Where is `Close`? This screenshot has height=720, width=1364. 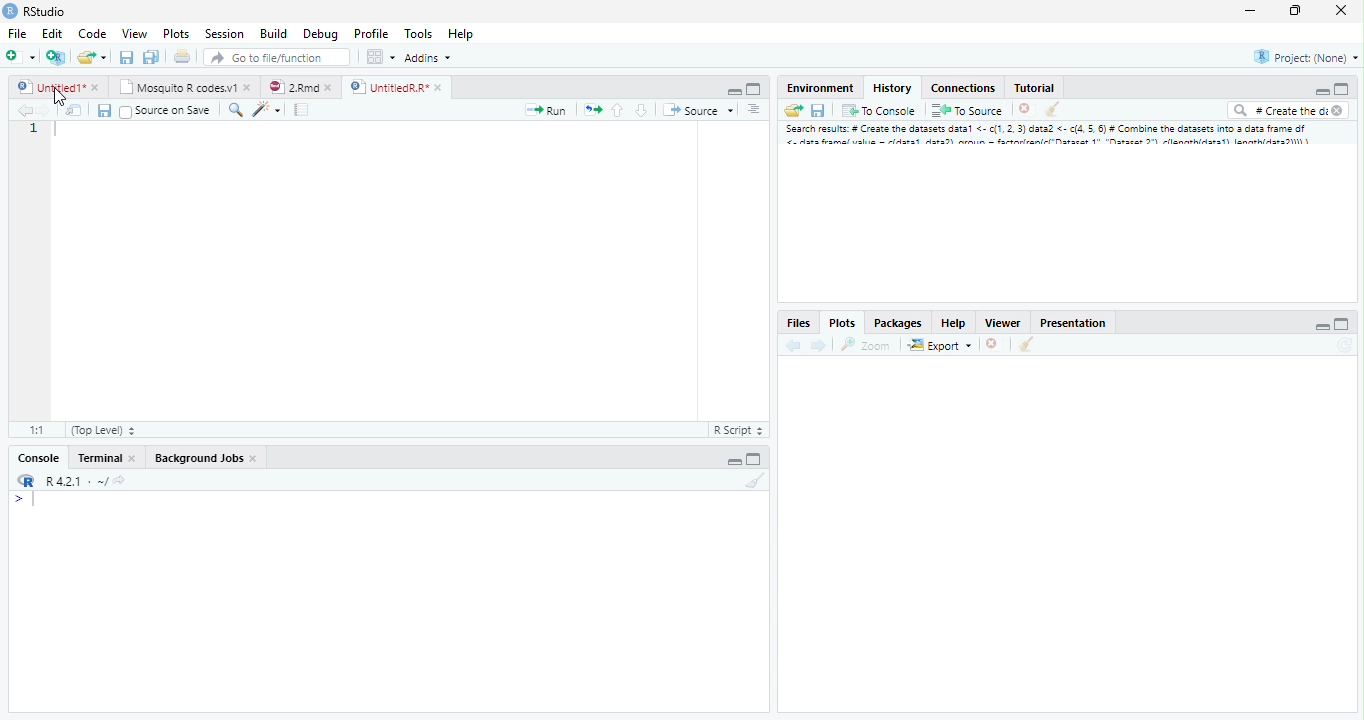 Close is located at coordinates (1339, 10).